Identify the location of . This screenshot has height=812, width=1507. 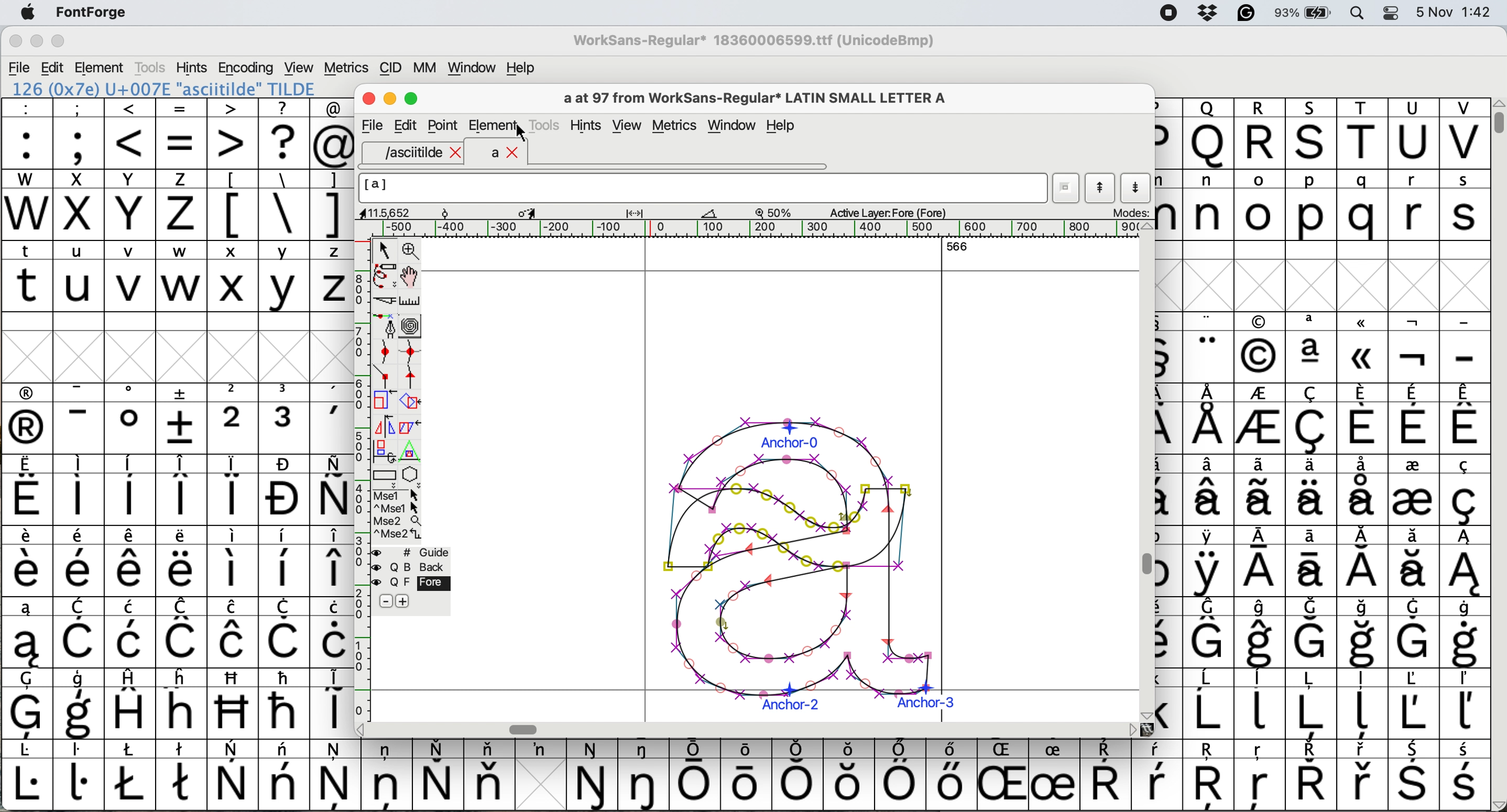
(234, 703).